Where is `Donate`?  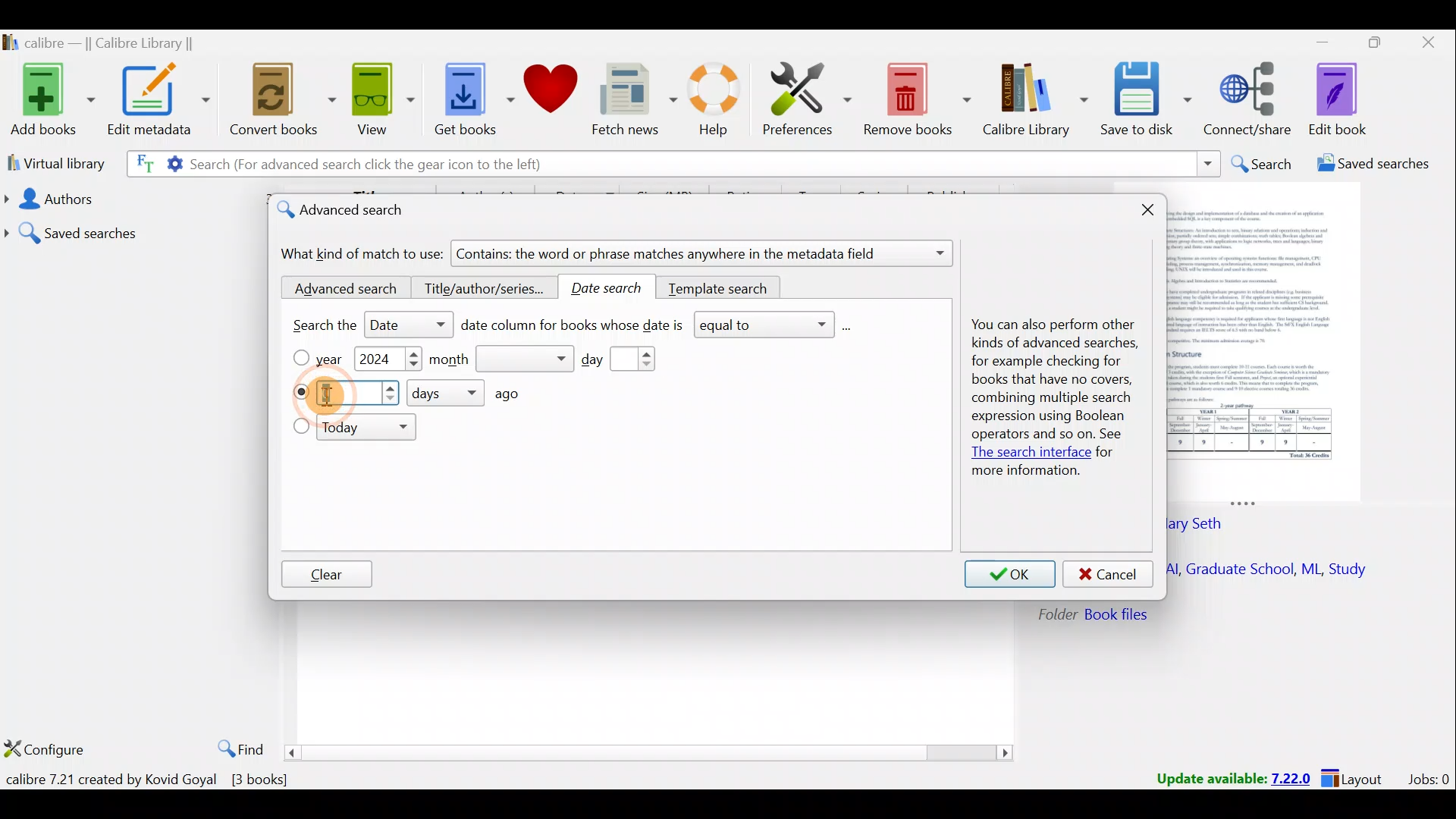
Donate is located at coordinates (550, 91).